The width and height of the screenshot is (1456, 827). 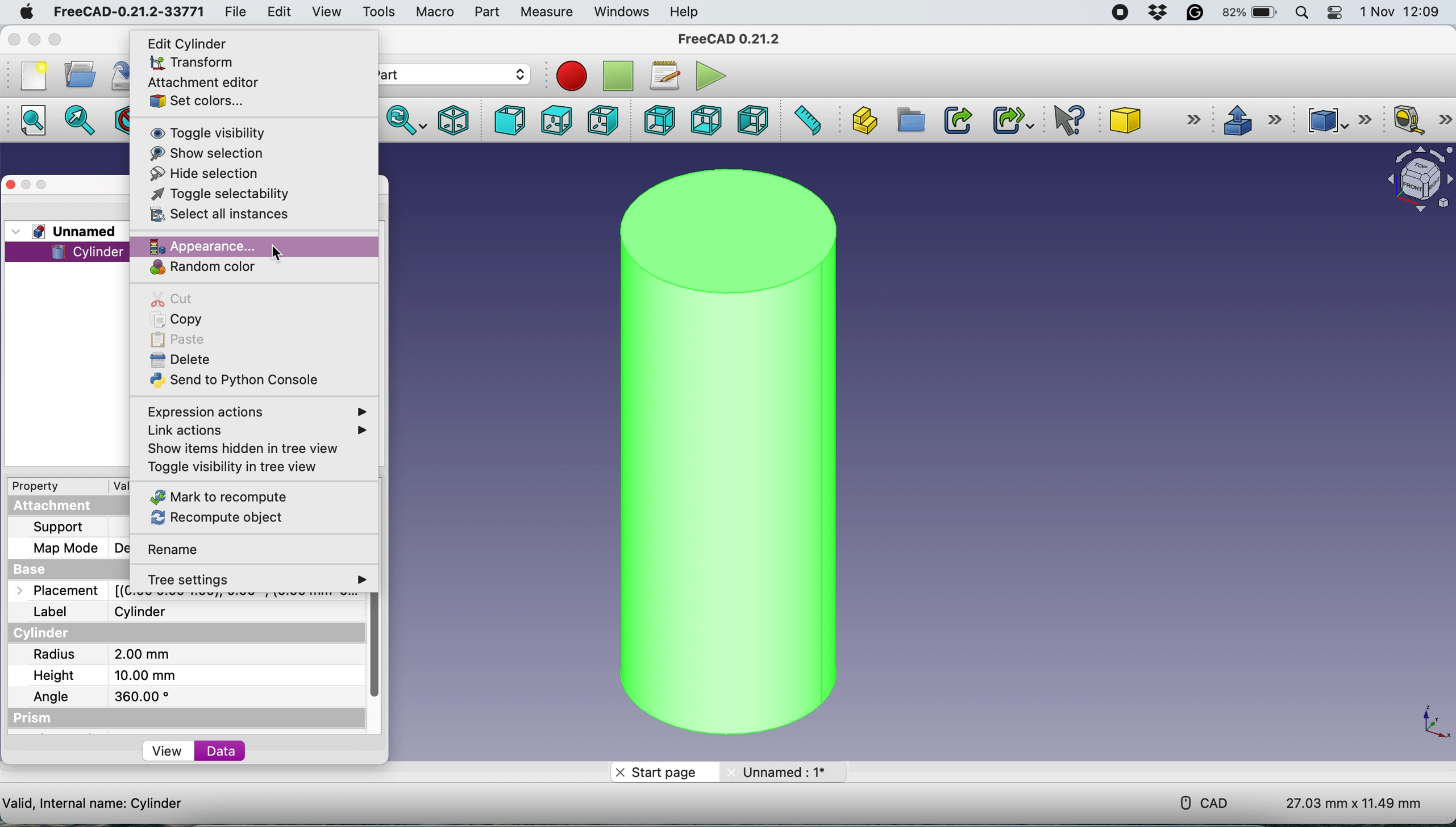 I want to click on select all instances, so click(x=218, y=215).